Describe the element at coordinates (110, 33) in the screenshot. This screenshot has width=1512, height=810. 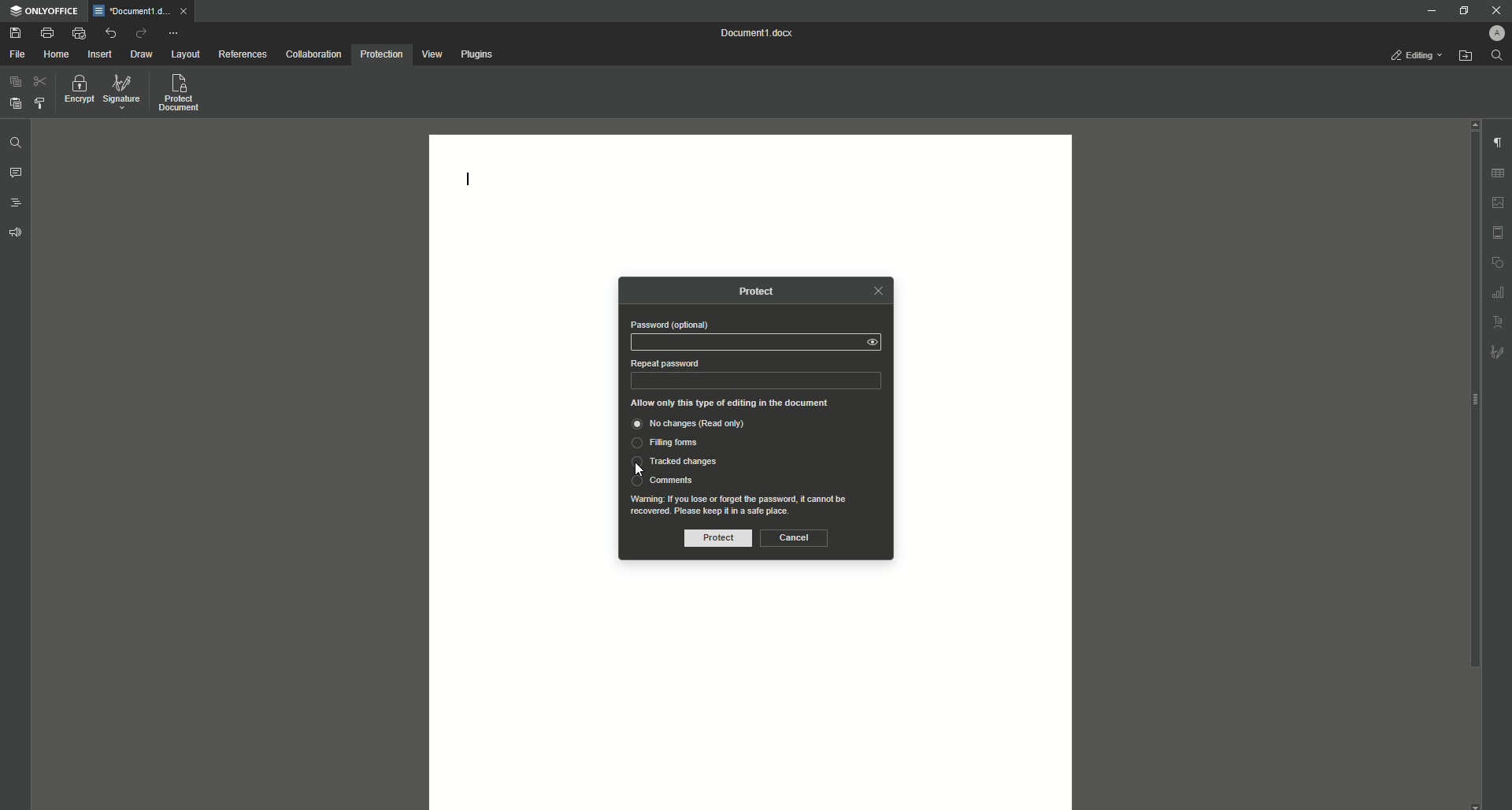
I see `Undo` at that location.